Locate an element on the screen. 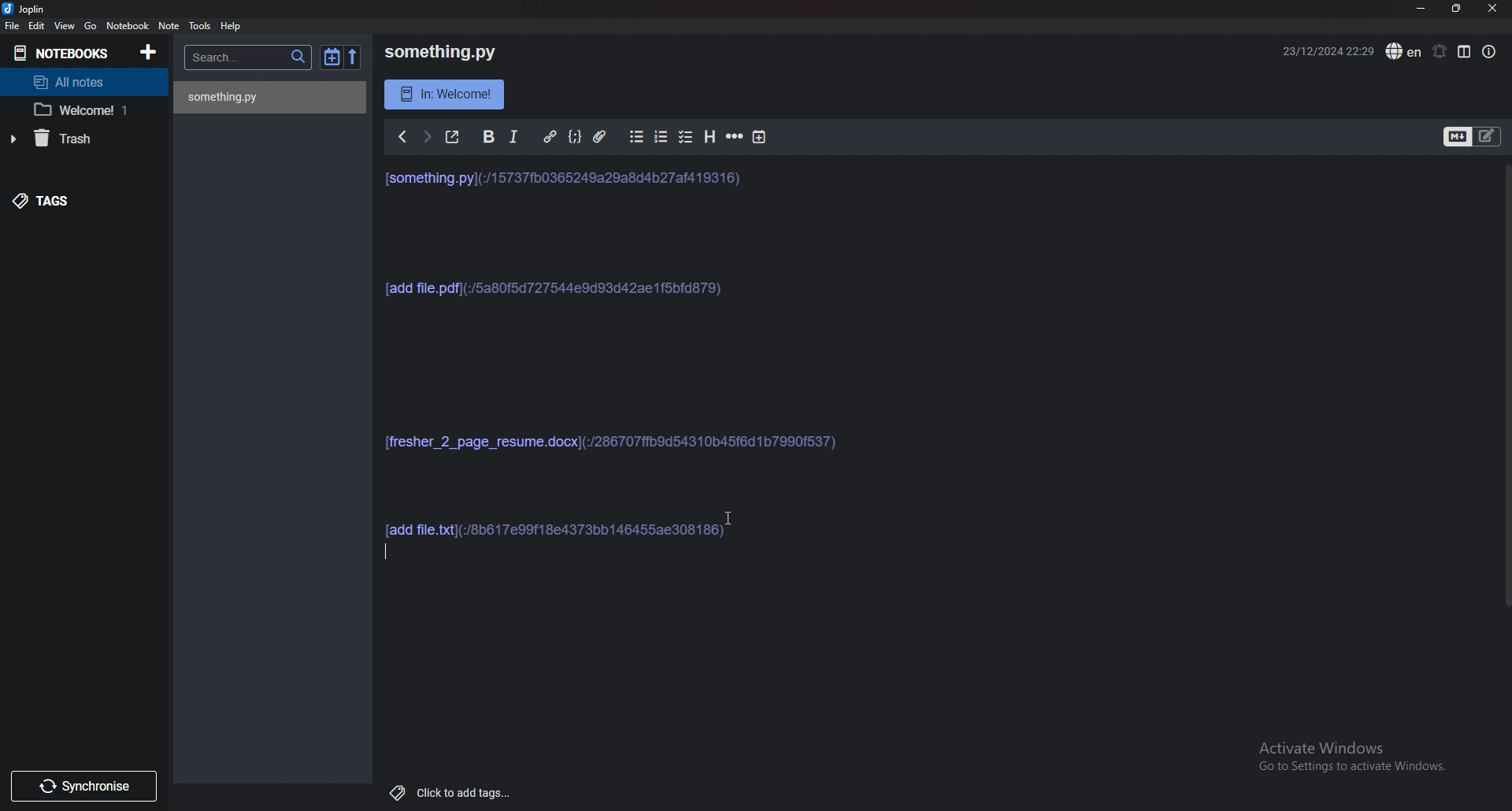 This screenshot has height=811, width=1512. edit is located at coordinates (38, 25).